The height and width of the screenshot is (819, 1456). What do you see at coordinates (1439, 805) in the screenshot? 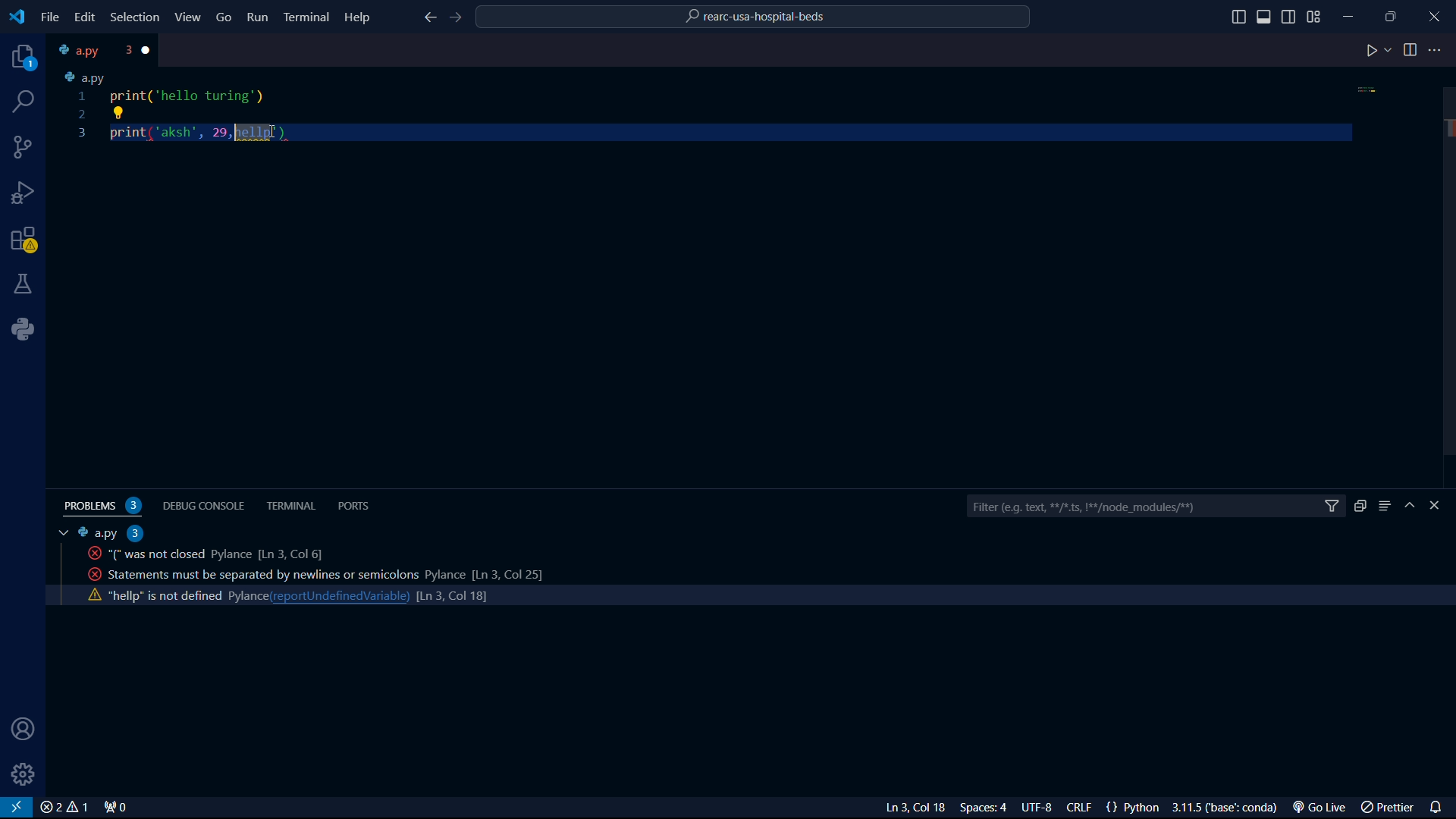
I see `notifications` at bounding box center [1439, 805].